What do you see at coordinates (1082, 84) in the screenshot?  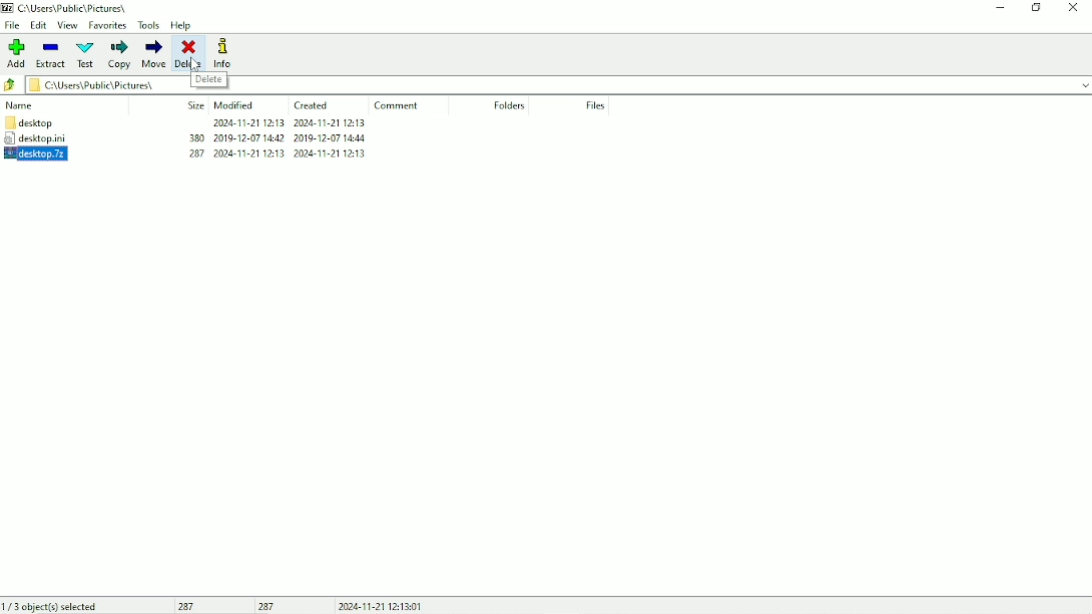 I see `dropdown` at bounding box center [1082, 84].